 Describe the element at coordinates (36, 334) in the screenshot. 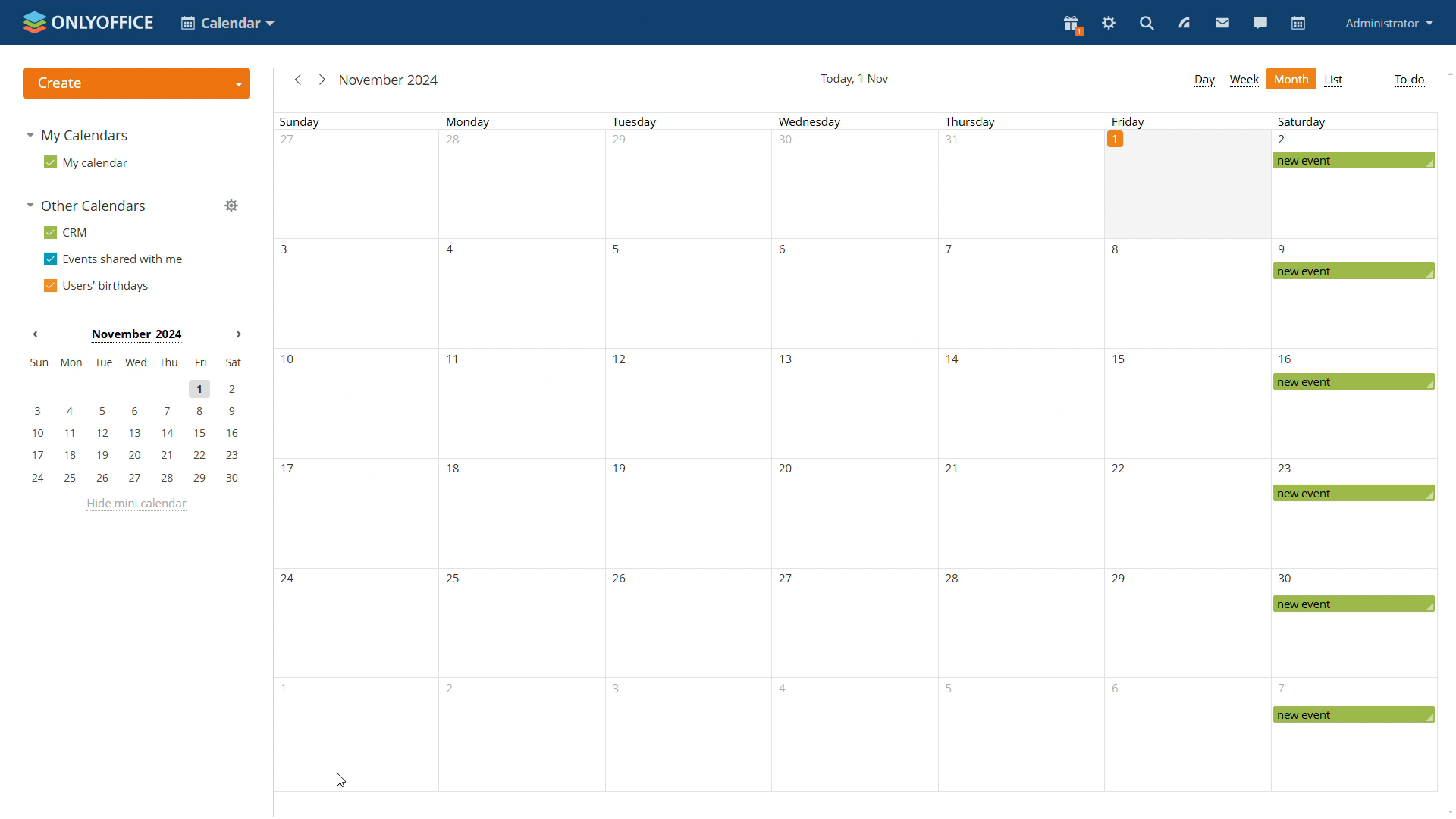

I see `Previous month` at that location.